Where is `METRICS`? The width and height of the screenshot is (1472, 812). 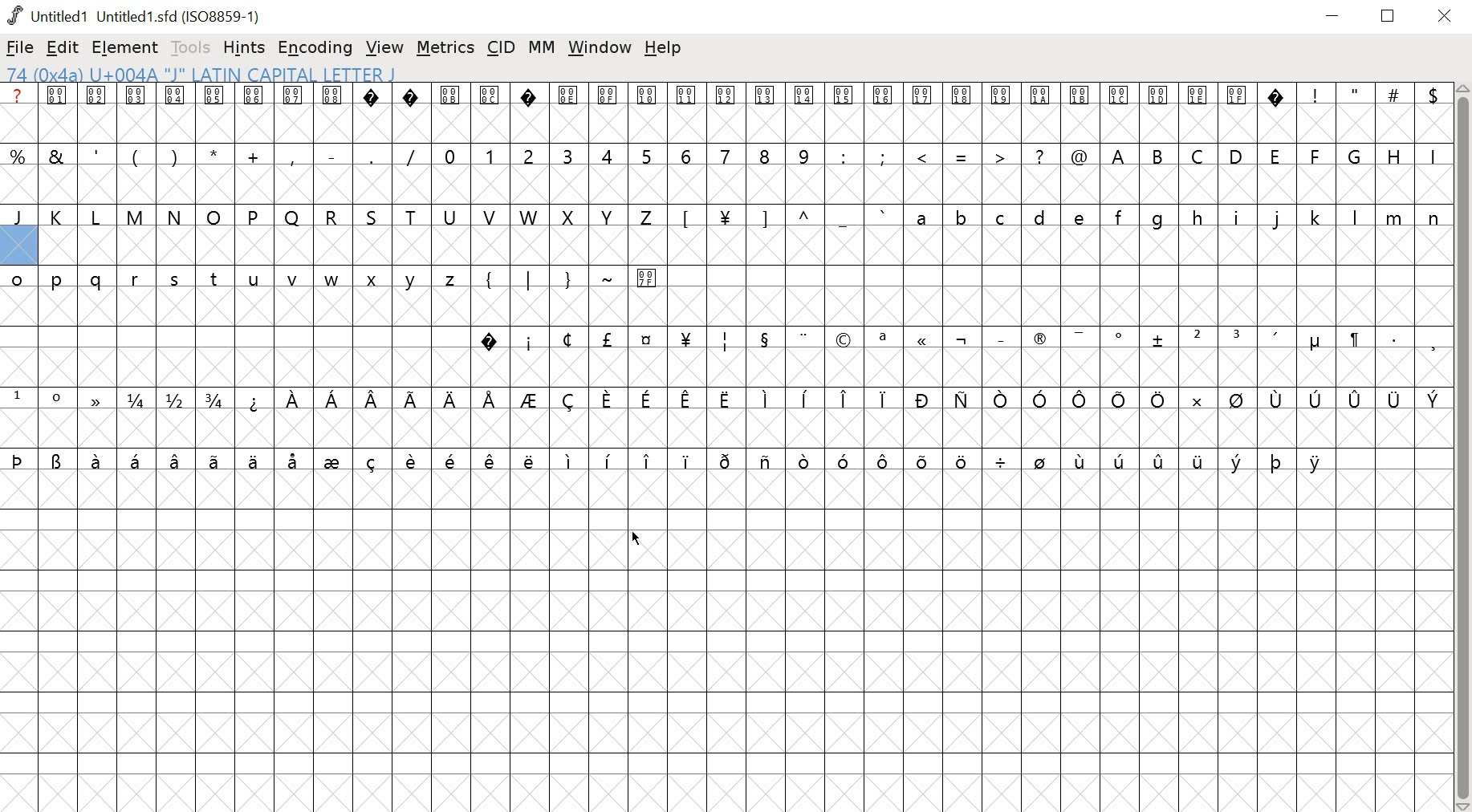
METRICS is located at coordinates (445, 49).